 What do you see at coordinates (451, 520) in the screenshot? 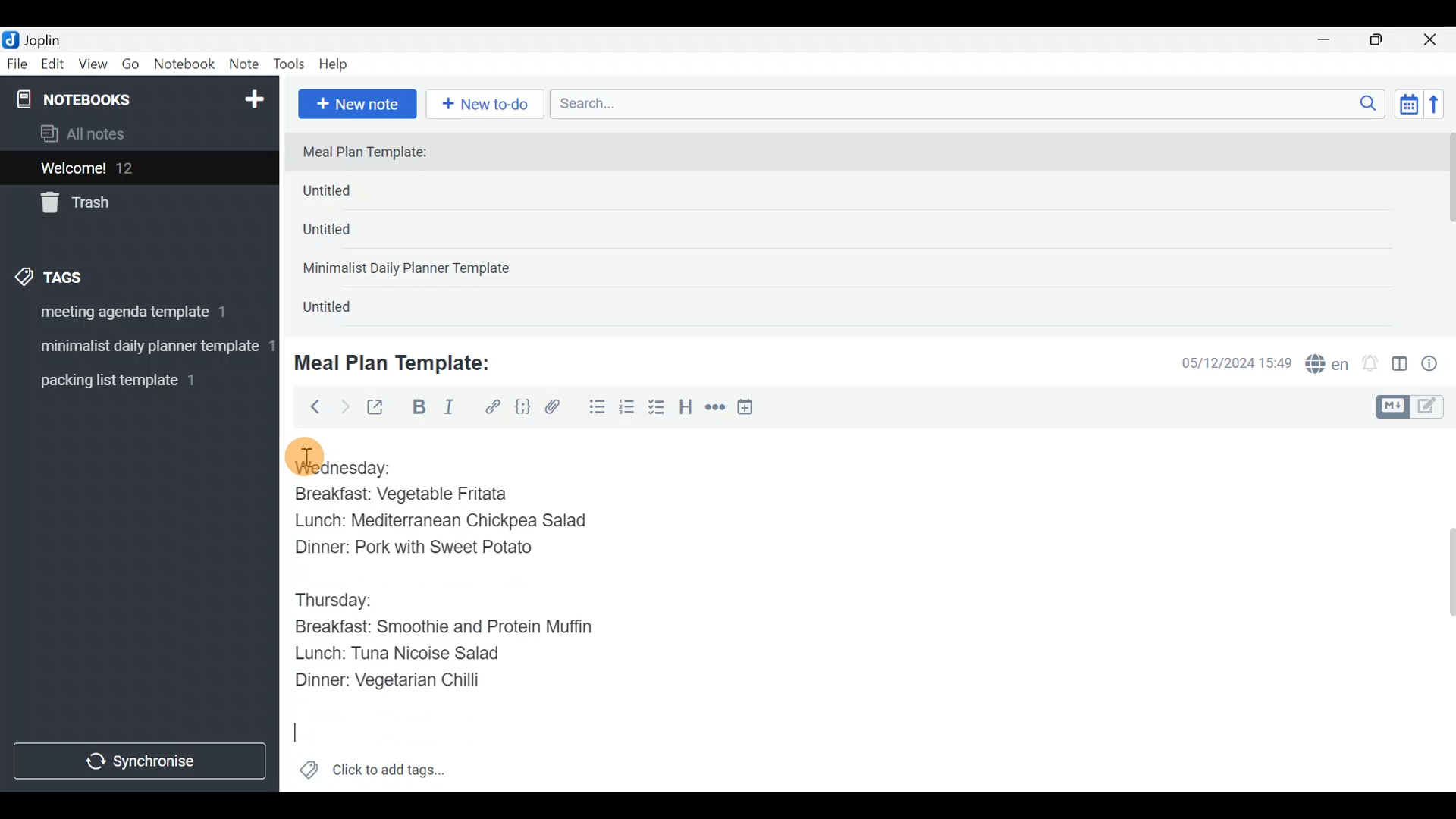
I see `Lunch: Mediterranean Chickpea Salad` at bounding box center [451, 520].